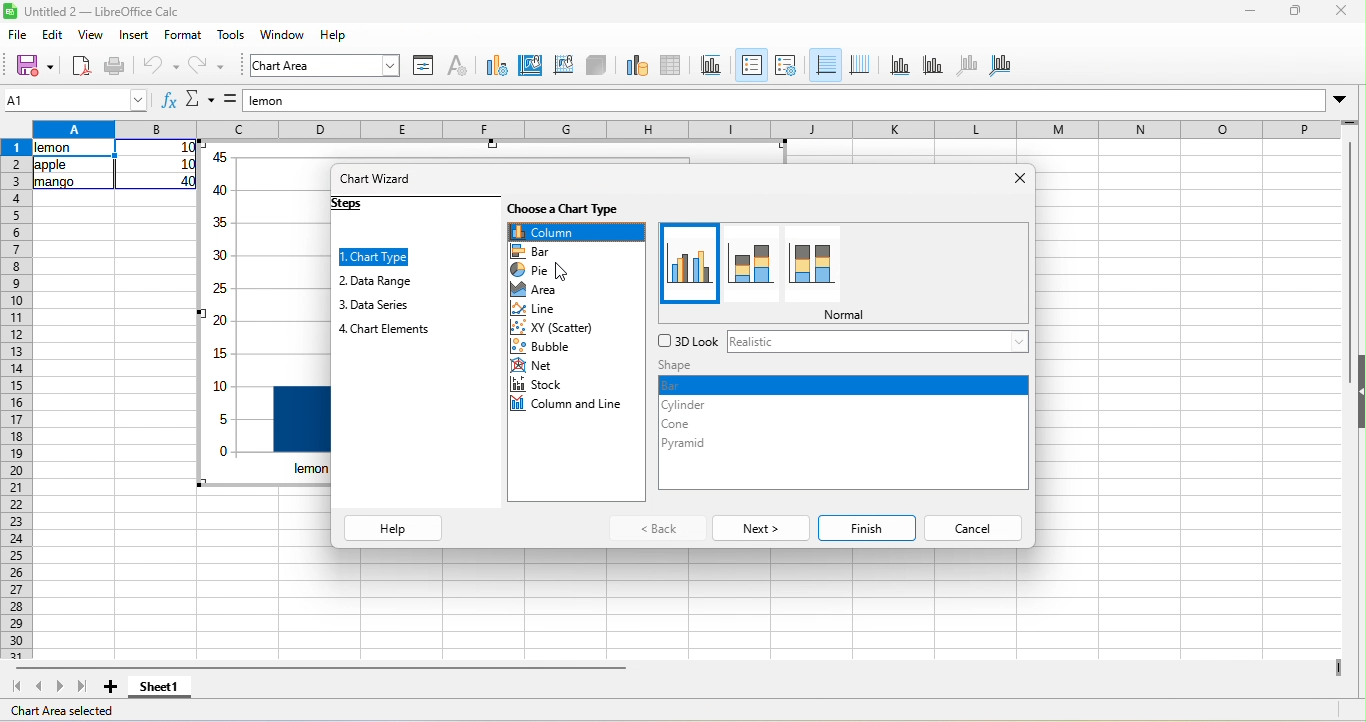 The image size is (1366, 722). Describe the element at coordinates (186, 165) in the screenshot. I see `10` at that location.